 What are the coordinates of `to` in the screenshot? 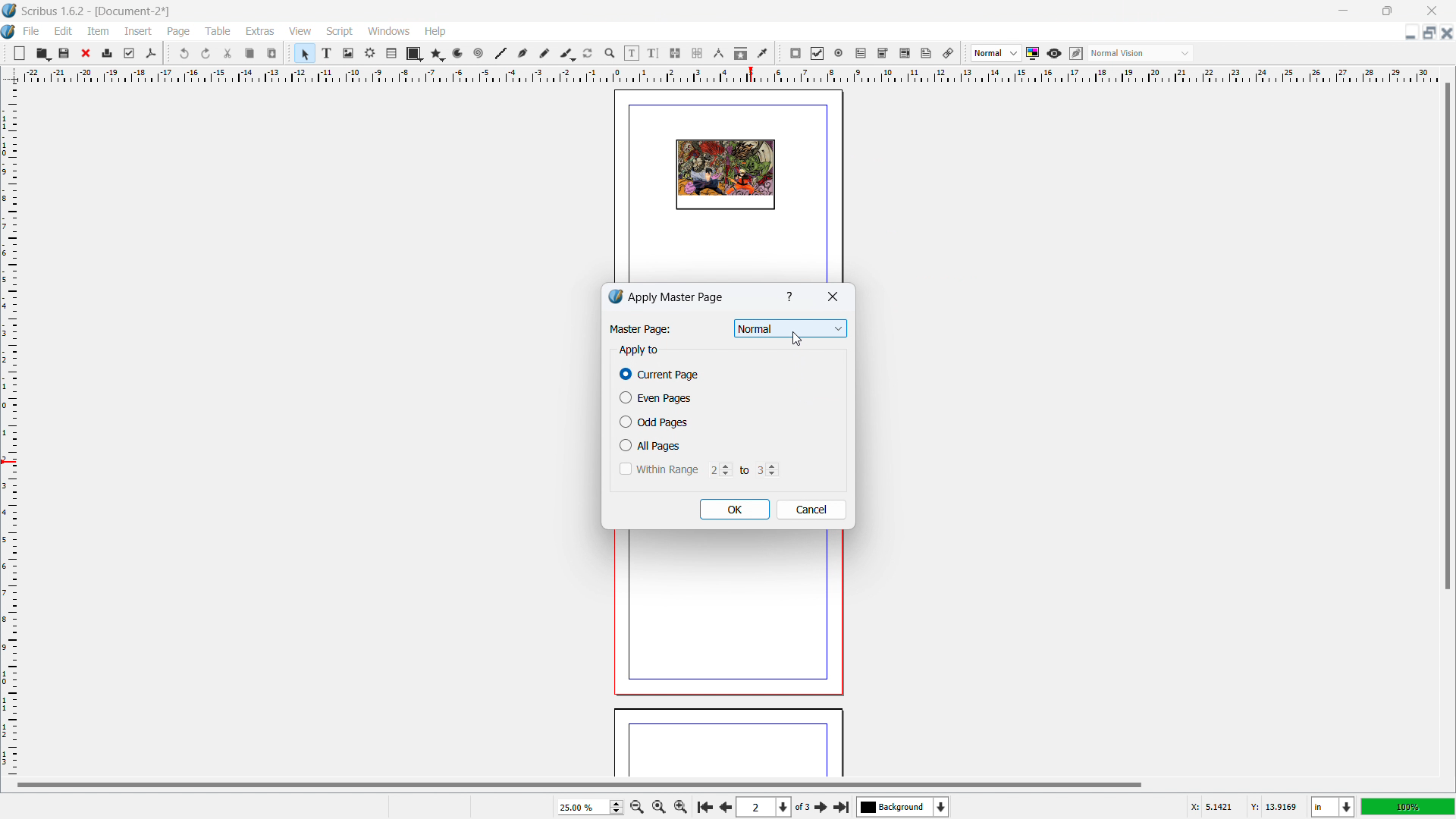 It's located at (742, 469).